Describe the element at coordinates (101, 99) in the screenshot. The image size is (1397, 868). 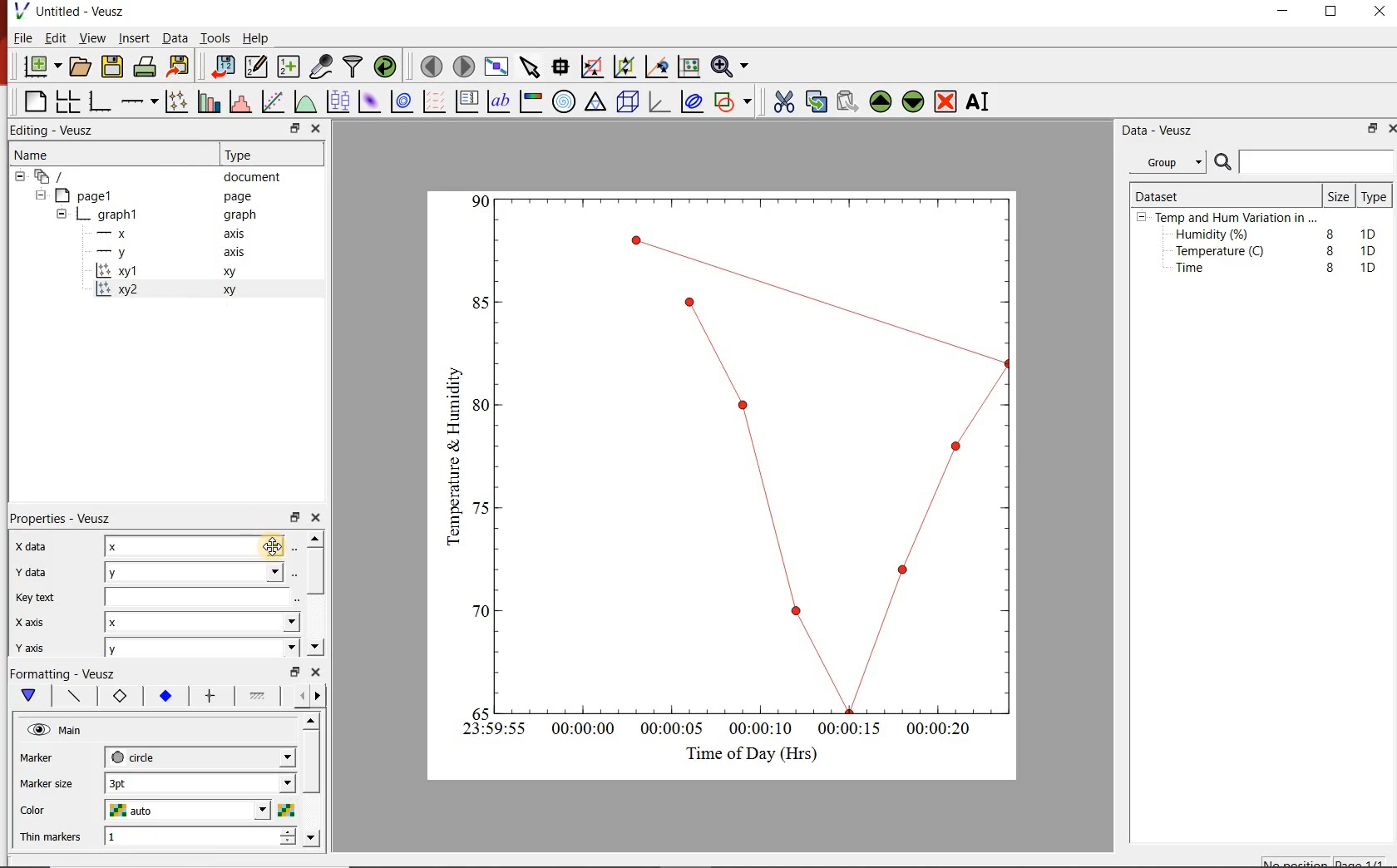
I see `base graph` at that location.